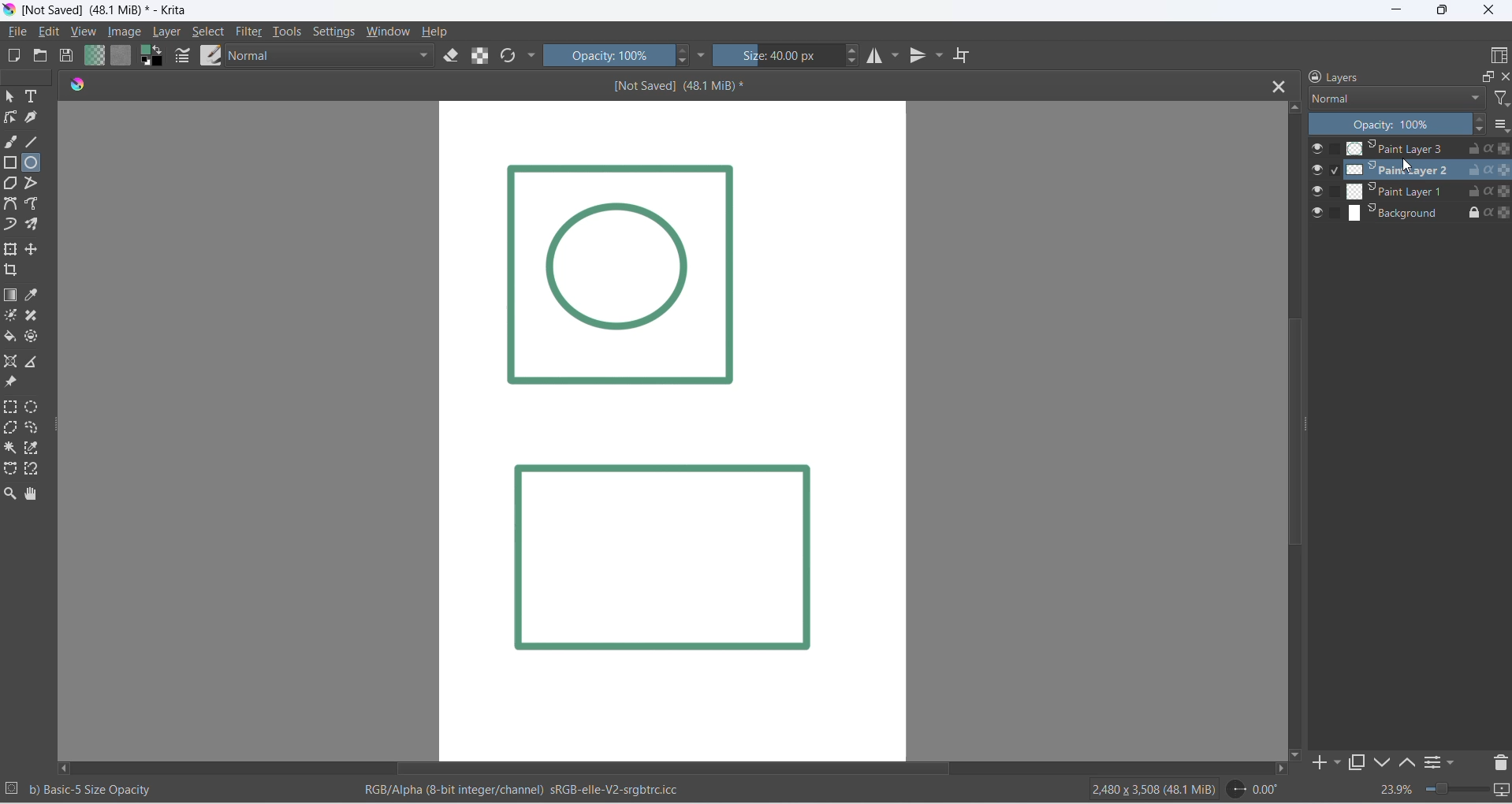 The width and height of the screenshot is (1512, 804). What do you see at coordinates (1503, 99) in the screenshot?
I see `filter` at bounding box center [1503, 99].